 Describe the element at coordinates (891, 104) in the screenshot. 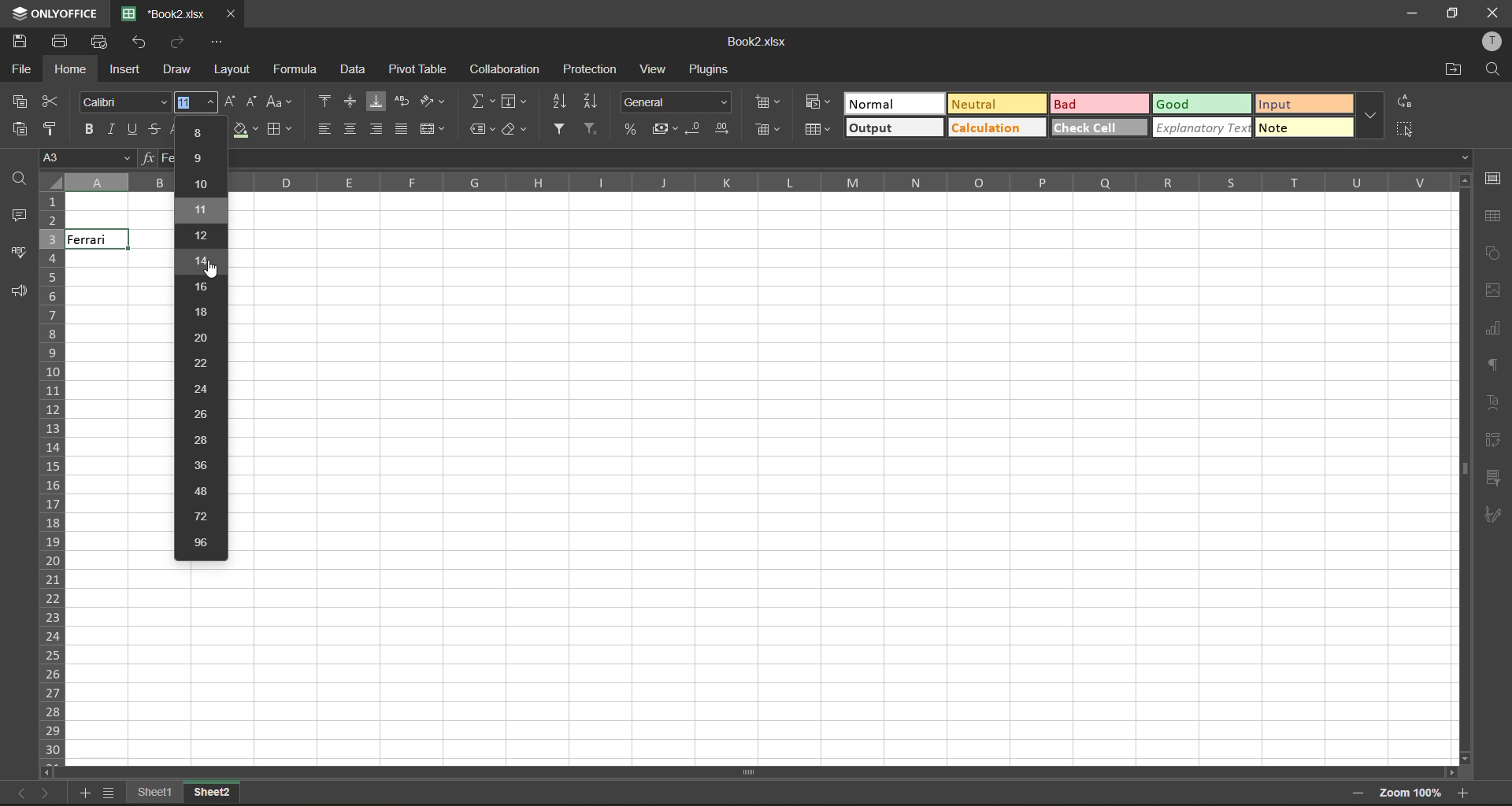

I see `normal` at that location.